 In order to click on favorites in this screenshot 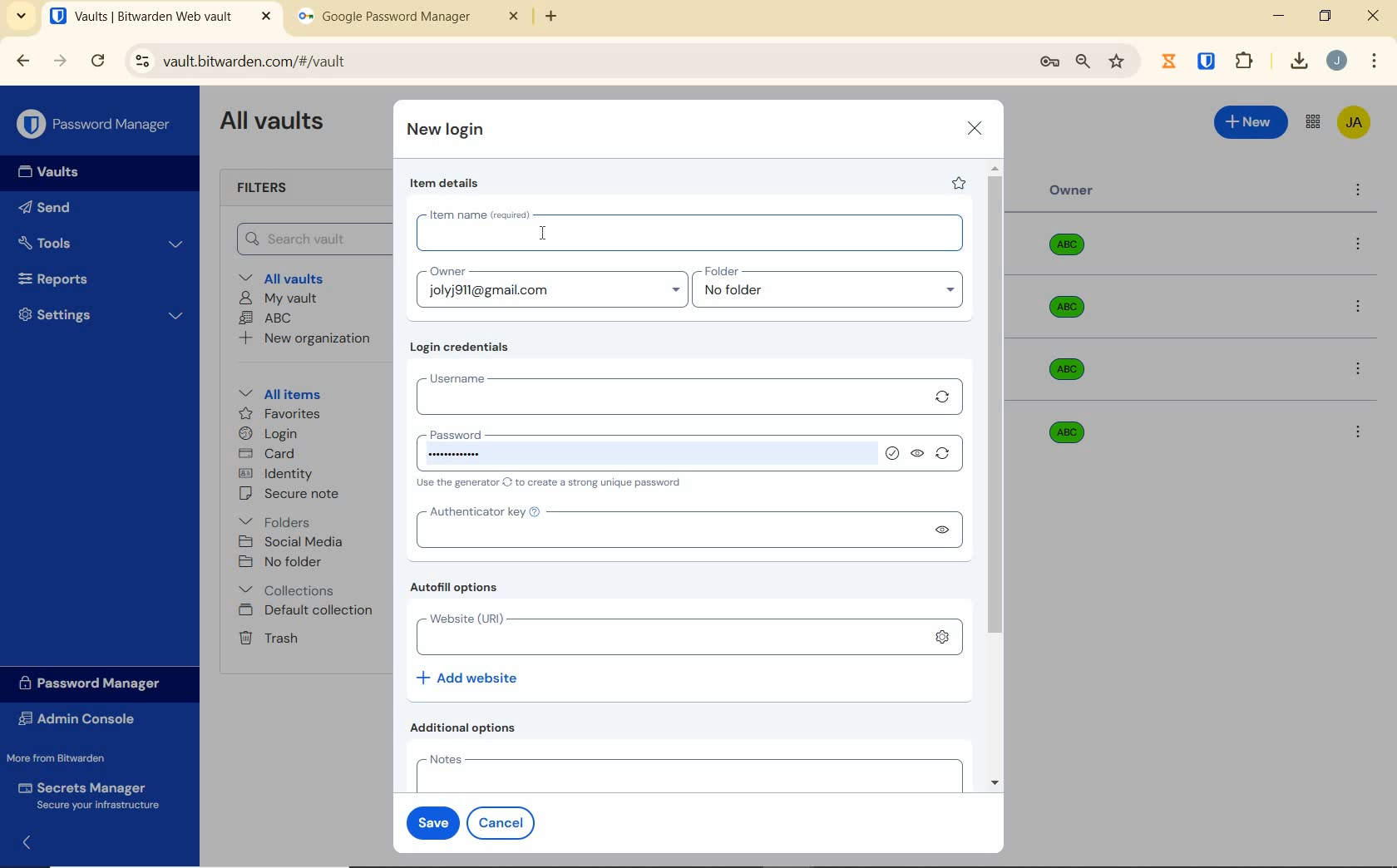, I will do `click(281, 416)`.